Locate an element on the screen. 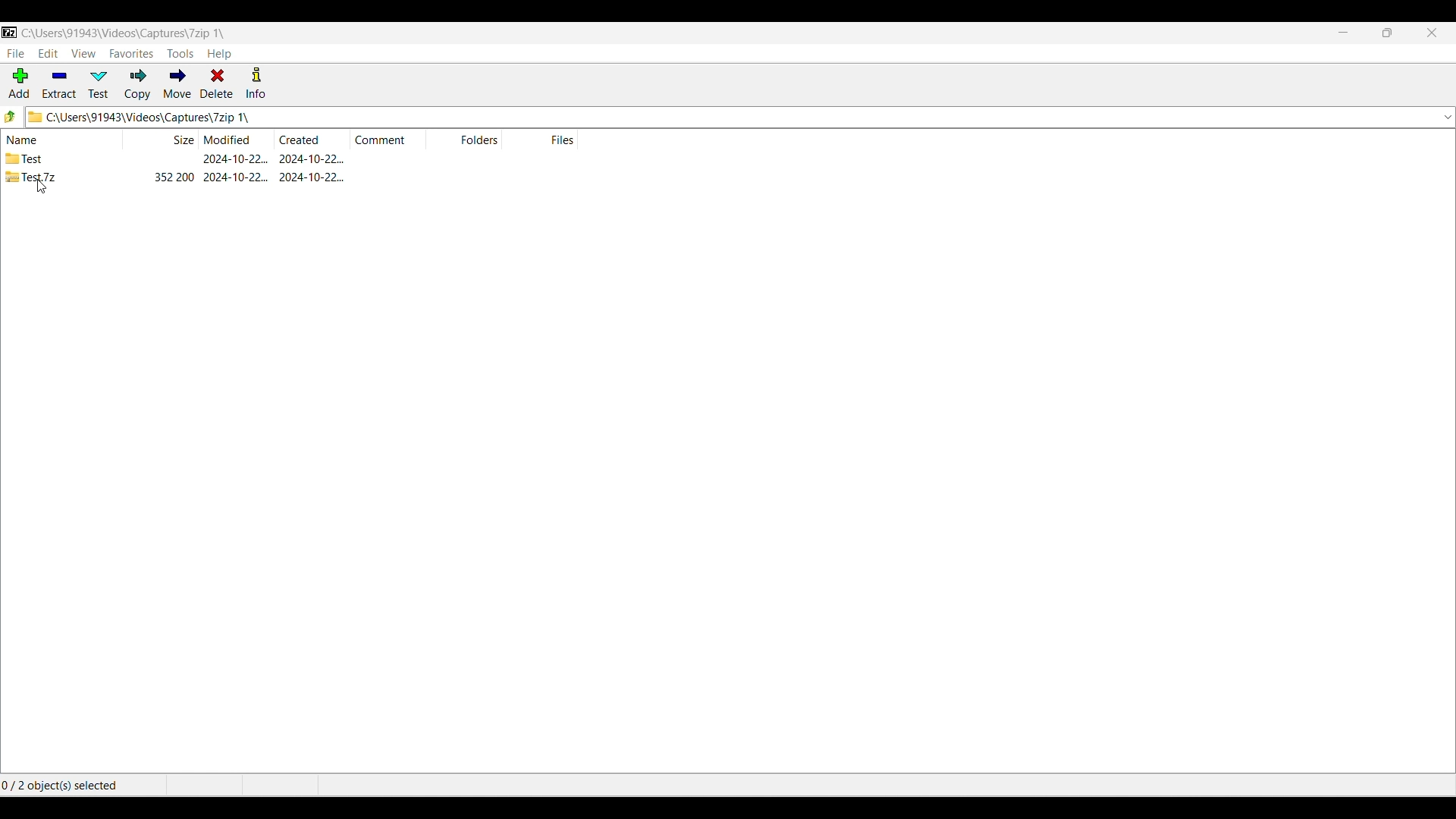  Test is located at coordinates (99, 84).